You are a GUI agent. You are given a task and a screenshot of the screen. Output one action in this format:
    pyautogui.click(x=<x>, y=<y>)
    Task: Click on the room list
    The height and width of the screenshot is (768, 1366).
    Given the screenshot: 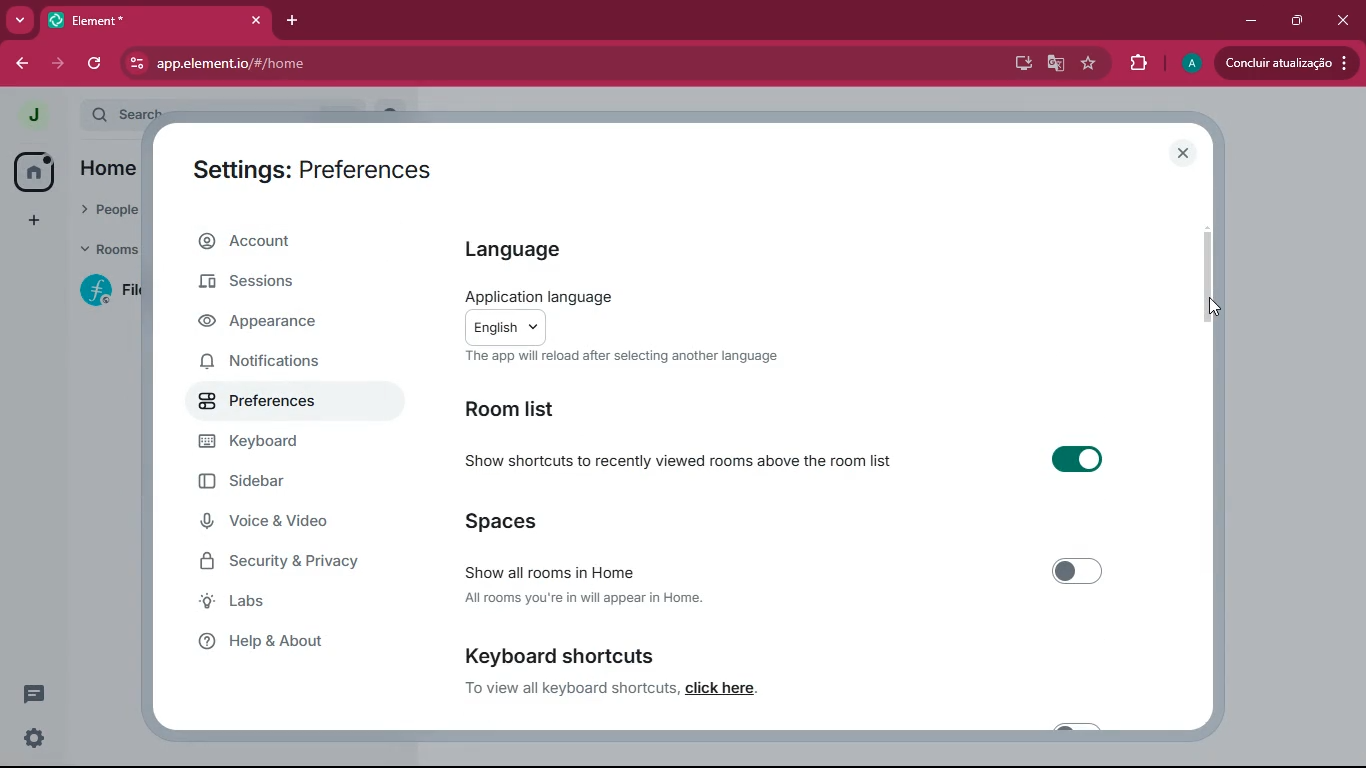 What is the action you would take?
    pyautogui.click(x=520, y=408)
    